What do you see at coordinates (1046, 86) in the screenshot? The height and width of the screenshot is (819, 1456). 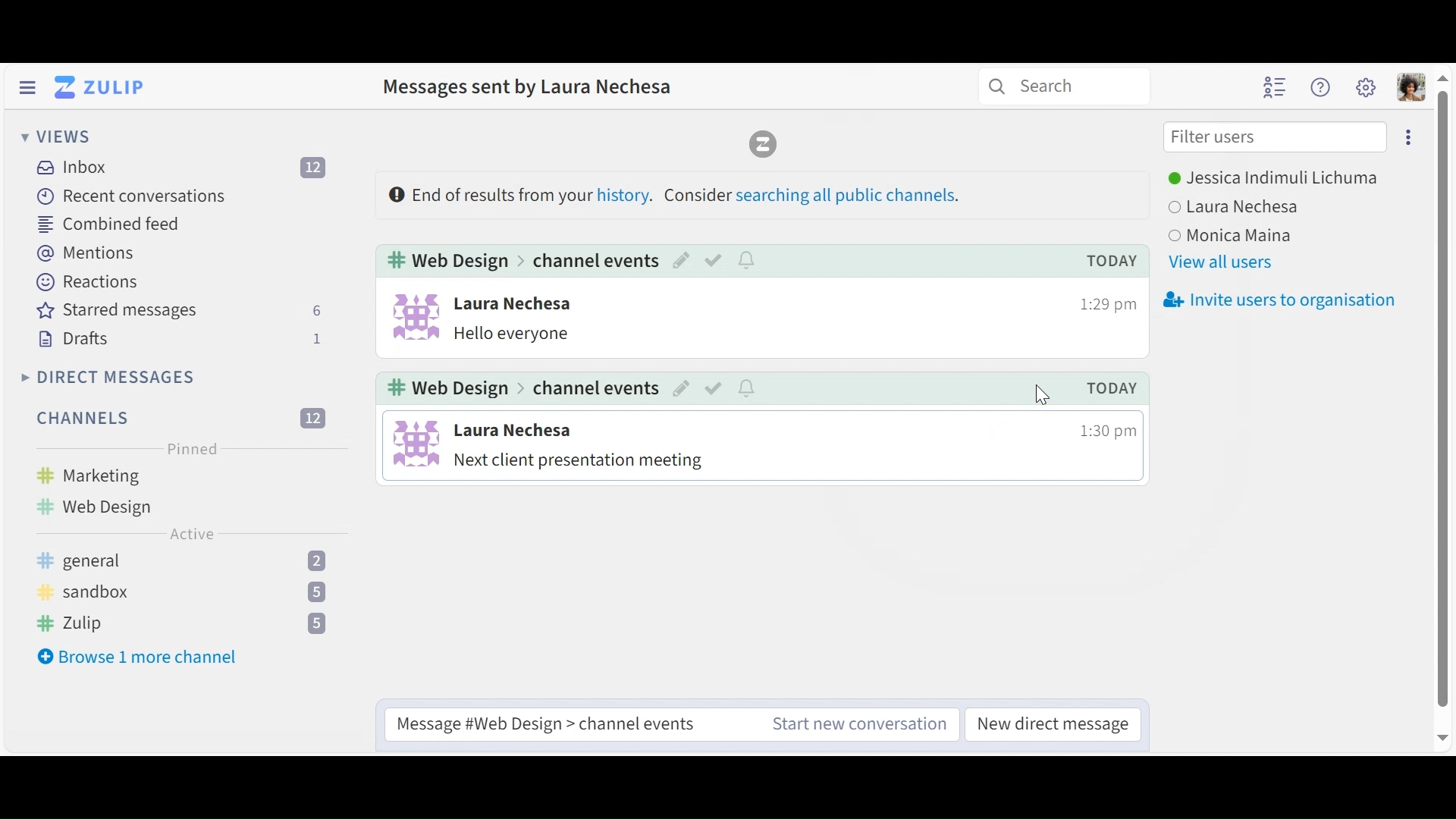 I see `search` at bounding box center [1046, 86].